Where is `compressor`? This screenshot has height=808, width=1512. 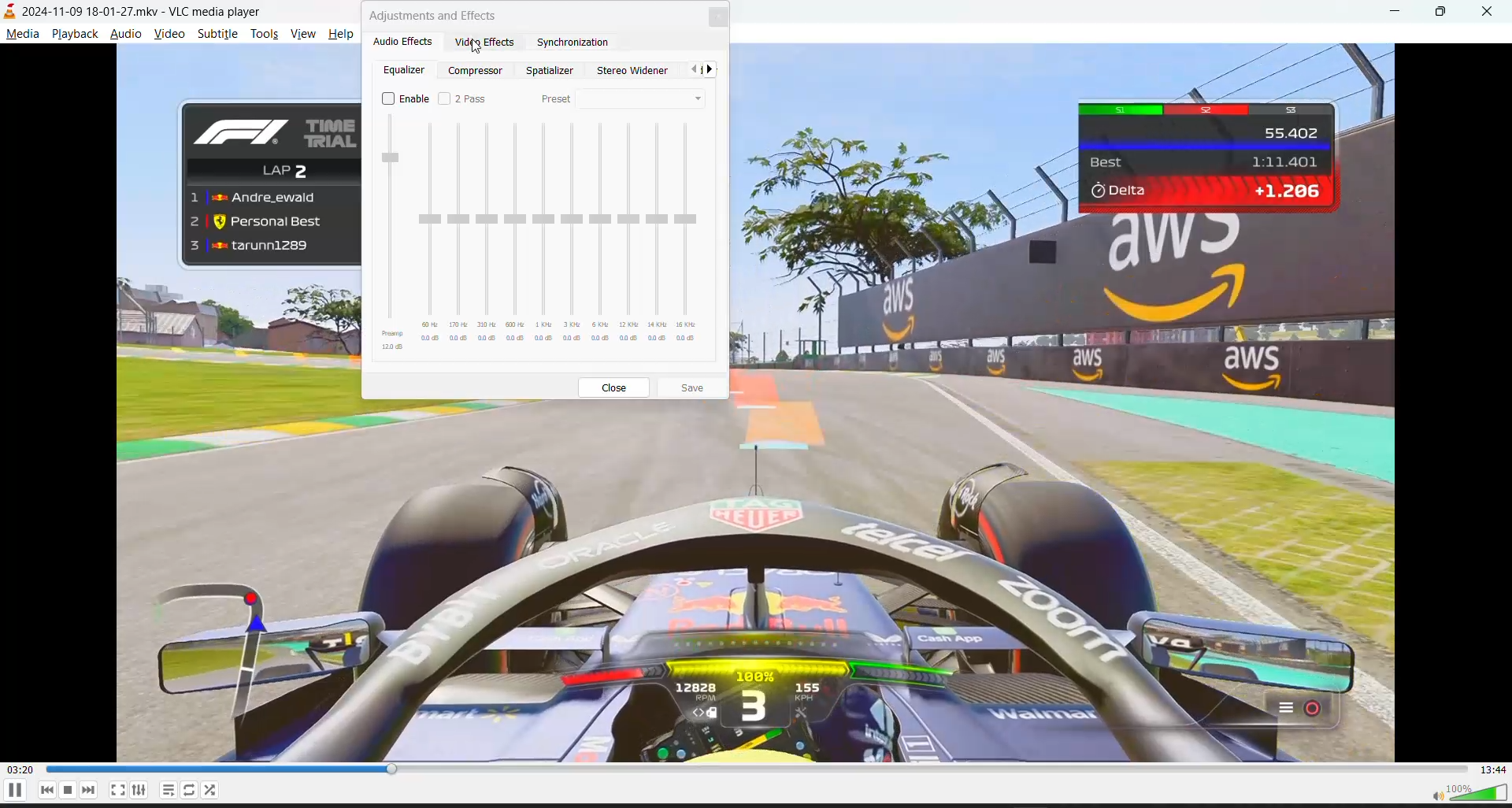
compressor is located at coordinates (477, 72).